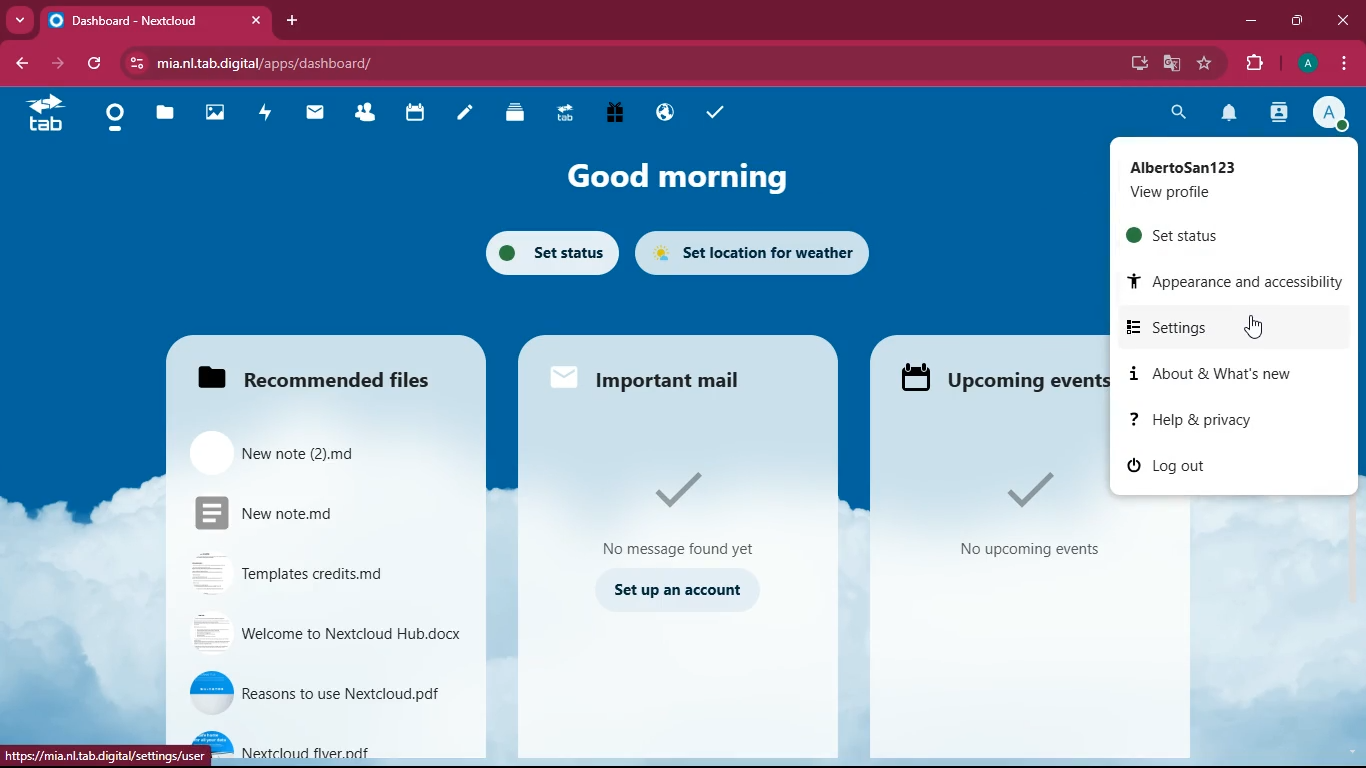  What do you see at coordinates (681, 491) in the screenshot?
I see `Tick` at bounding box center [681, 491].